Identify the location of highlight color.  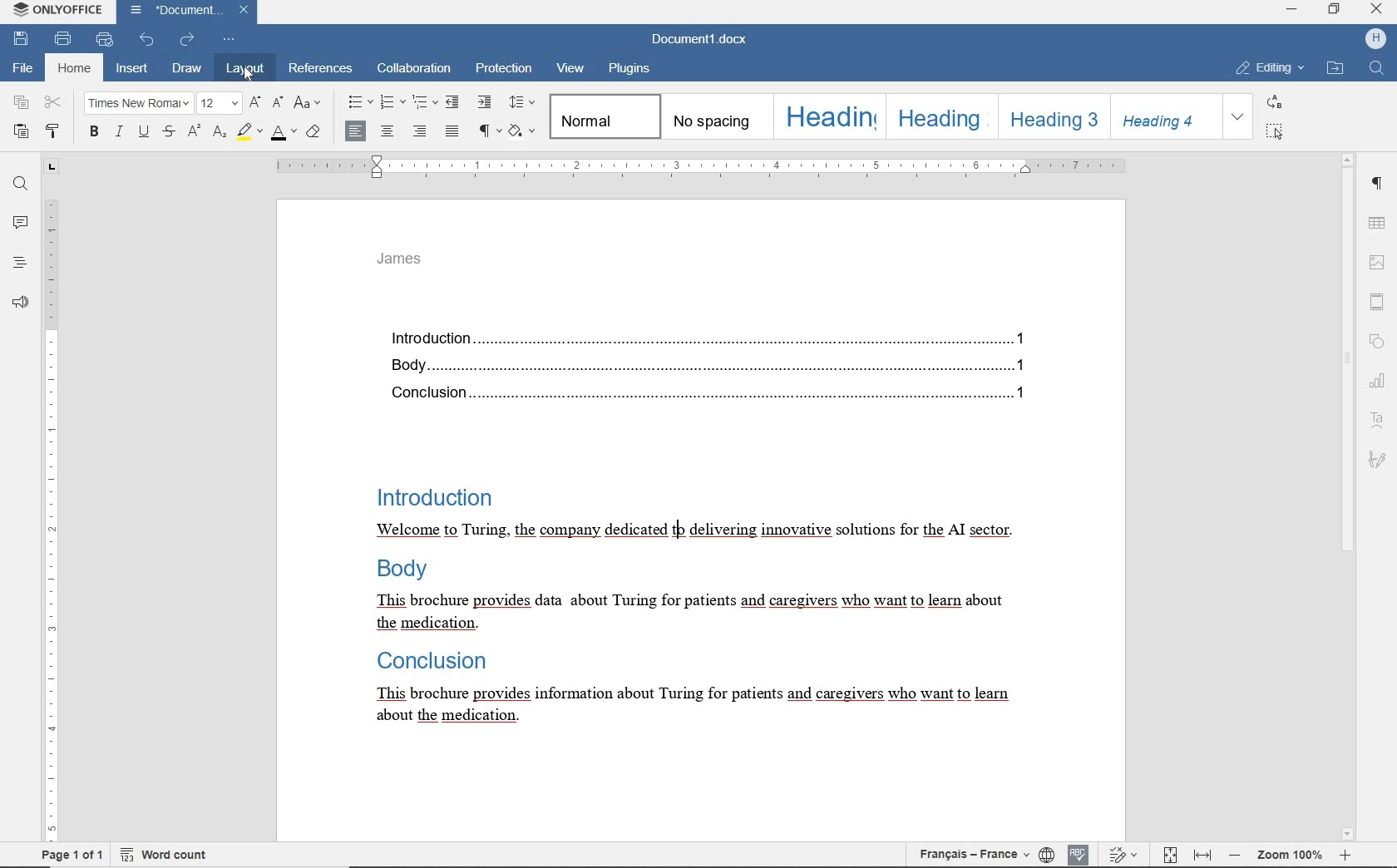
(250, 132).